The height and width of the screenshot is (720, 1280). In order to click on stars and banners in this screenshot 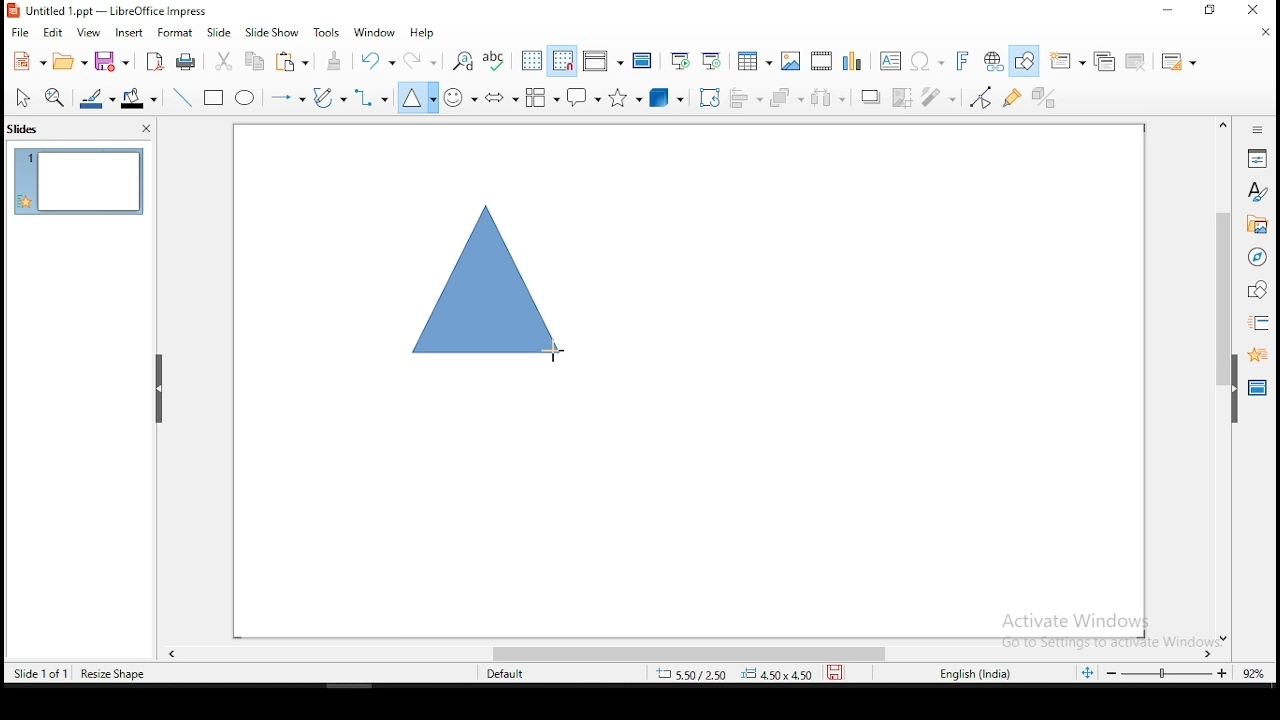, I will do `click(624, 98)`.